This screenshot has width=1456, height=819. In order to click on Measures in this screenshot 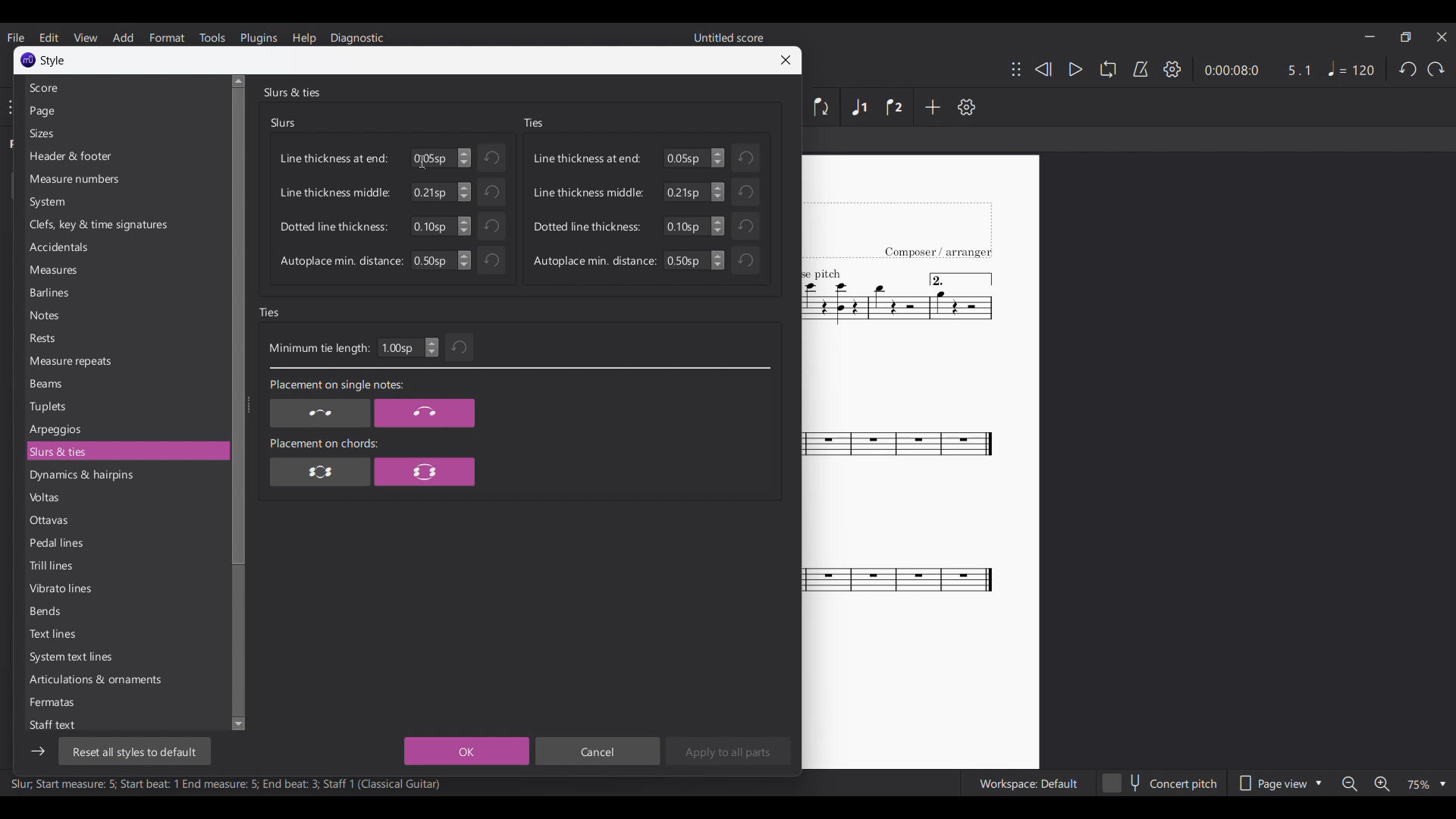, I will do `click(124, 270)`.